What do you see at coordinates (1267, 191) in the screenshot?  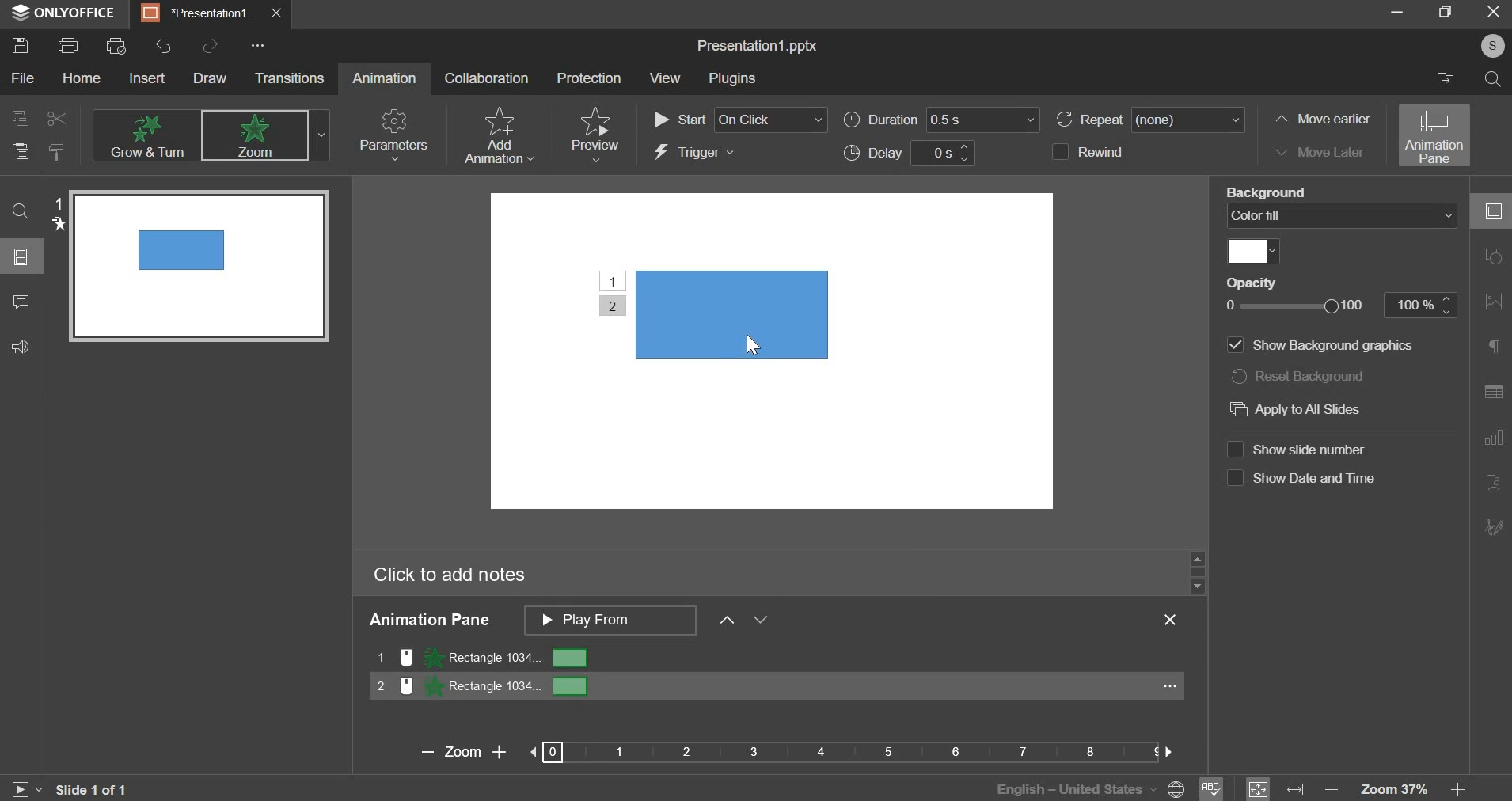 I see `Fill` at bounding box center [1267, 191].